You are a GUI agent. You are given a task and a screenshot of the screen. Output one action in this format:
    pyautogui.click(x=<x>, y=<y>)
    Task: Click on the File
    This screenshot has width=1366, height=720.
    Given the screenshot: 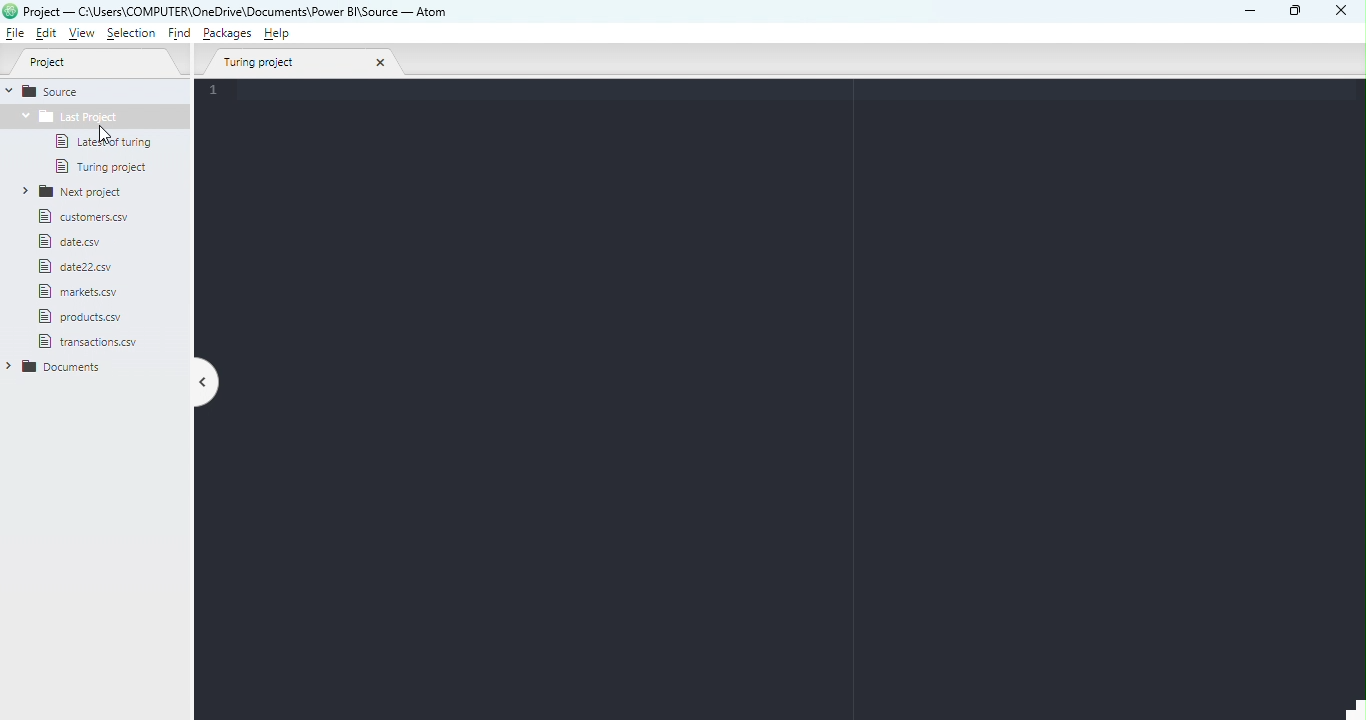 What is the action you would take?
    pyautogui.click(x=17, y=34)
    